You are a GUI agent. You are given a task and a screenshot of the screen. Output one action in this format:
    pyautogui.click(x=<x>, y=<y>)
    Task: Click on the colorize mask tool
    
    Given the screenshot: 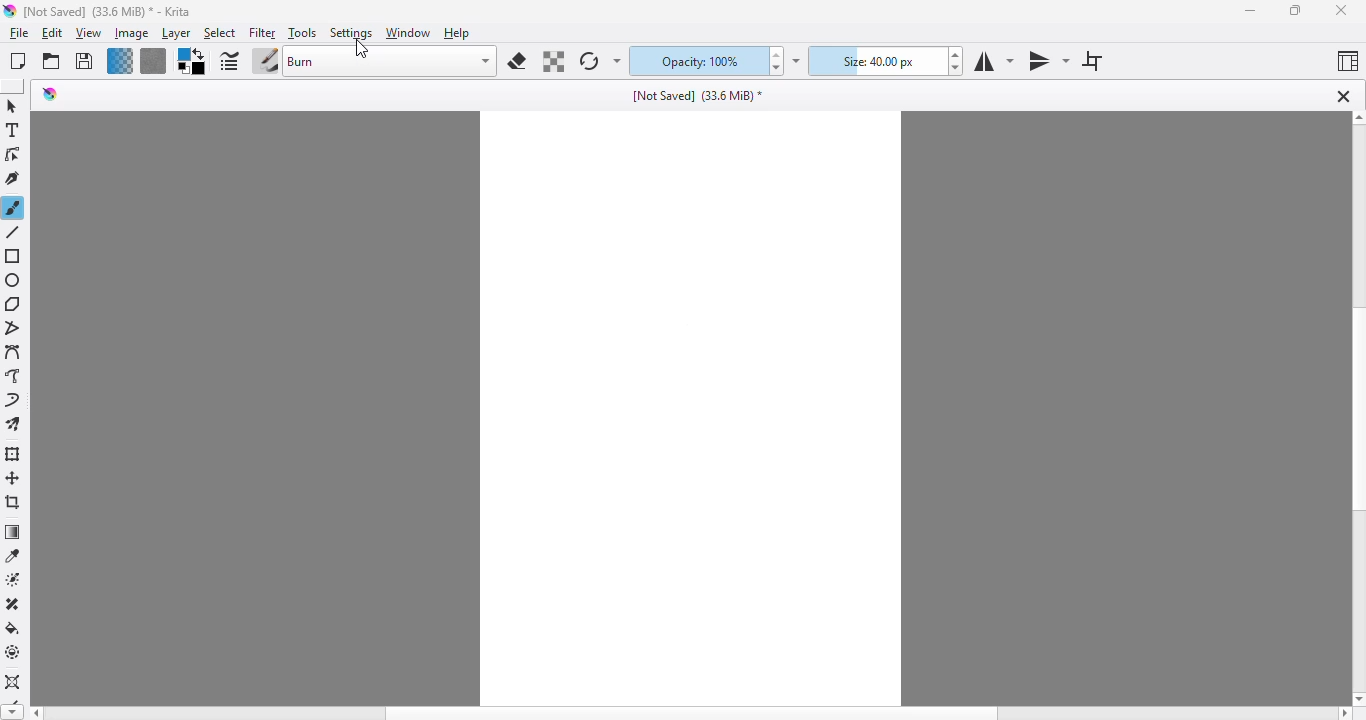 What is the action you would take?
    pyautogui.click(x=15, y=579)
    